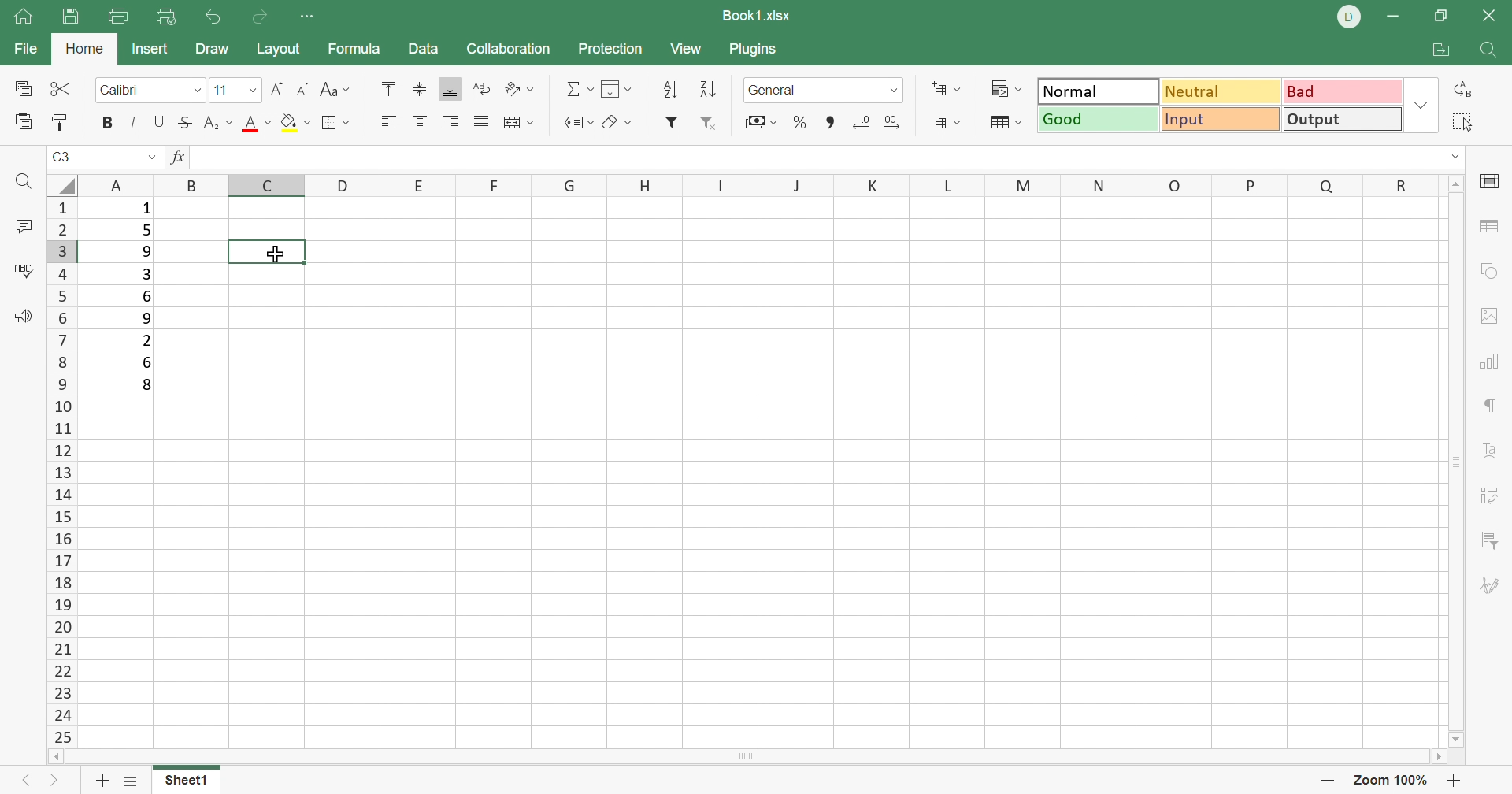 This screenshot has height=794, width=1512. What do you see at coordinates (23, 89) in the screenshot?
I see `Copy` at bounding box center [23, 89].